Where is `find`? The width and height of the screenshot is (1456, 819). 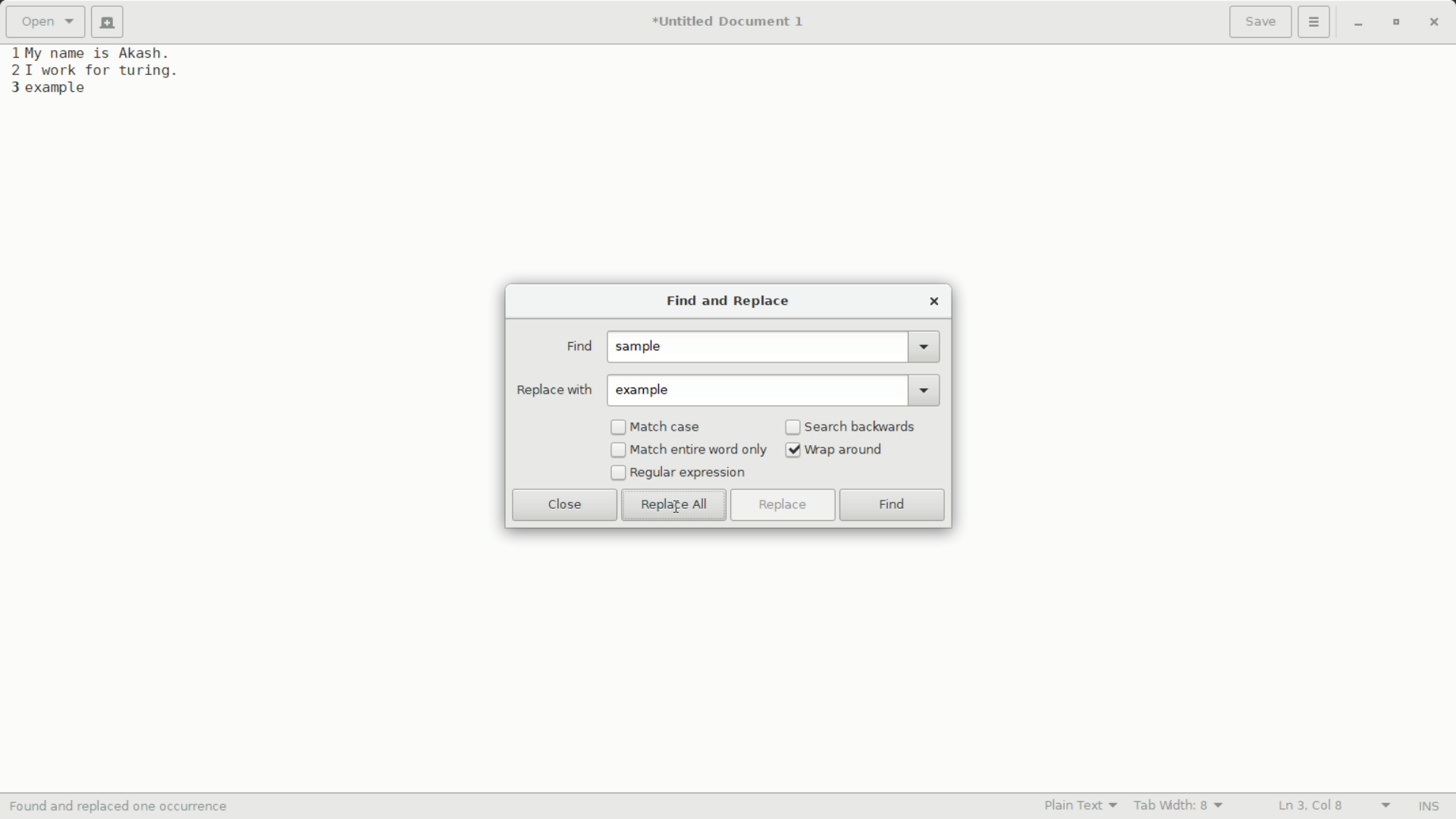
find is located at coordinates (893, 507).